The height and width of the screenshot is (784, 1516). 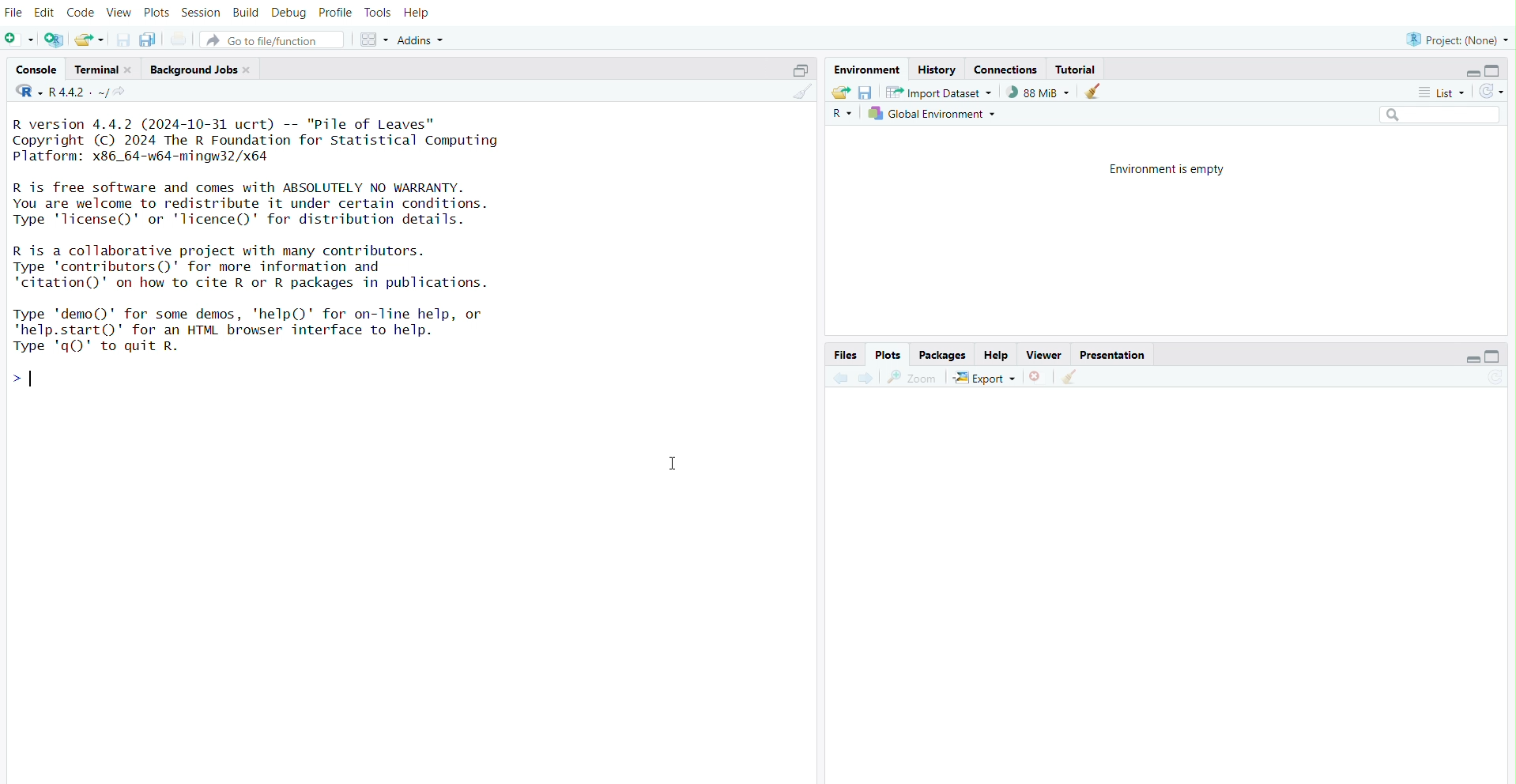 What do you see at coordinates (334, 10) in the screenshot?
I see `profile` at bounding box center [334, 10].